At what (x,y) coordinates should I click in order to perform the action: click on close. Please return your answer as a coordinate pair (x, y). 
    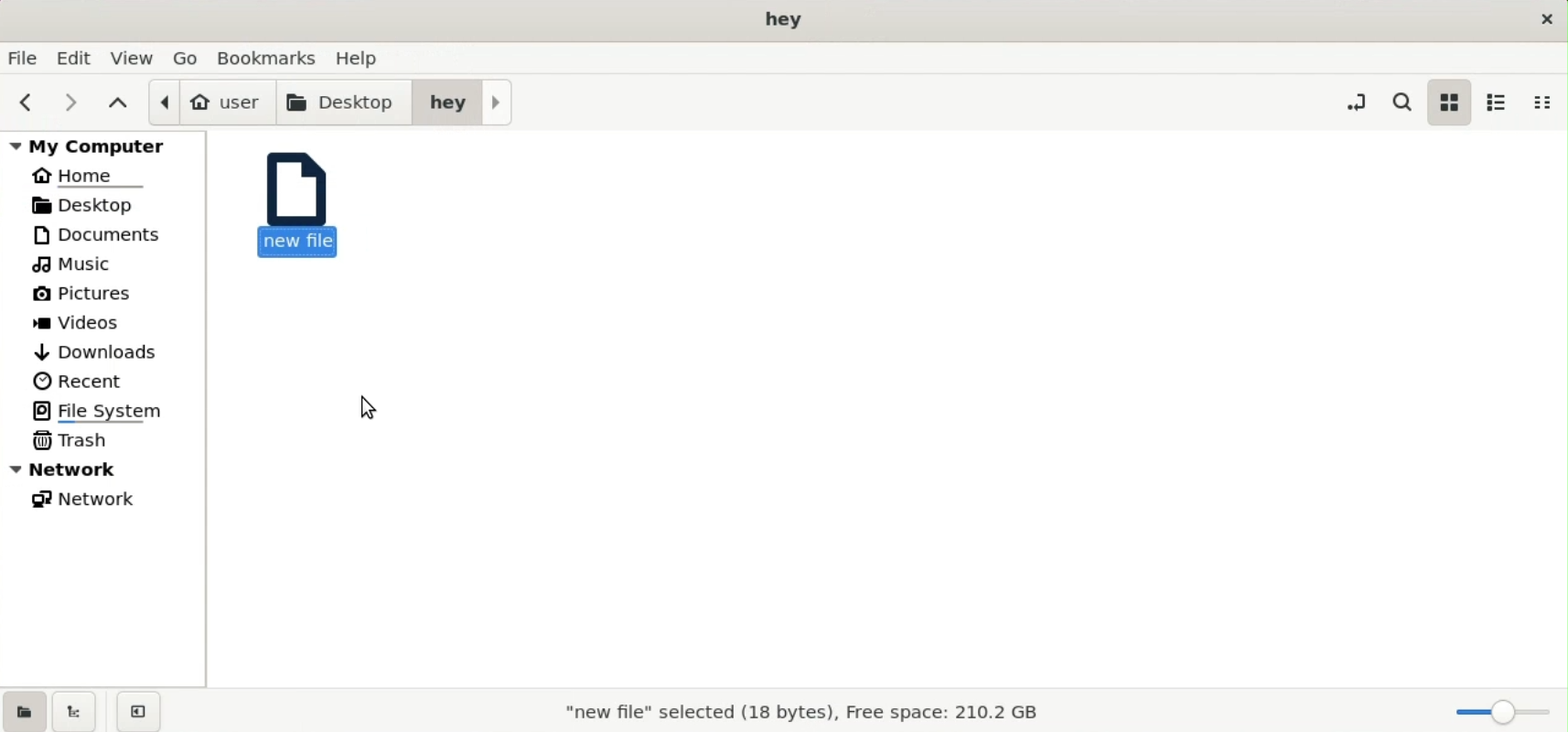
    Looking at the image, I should click on (1543, 18).